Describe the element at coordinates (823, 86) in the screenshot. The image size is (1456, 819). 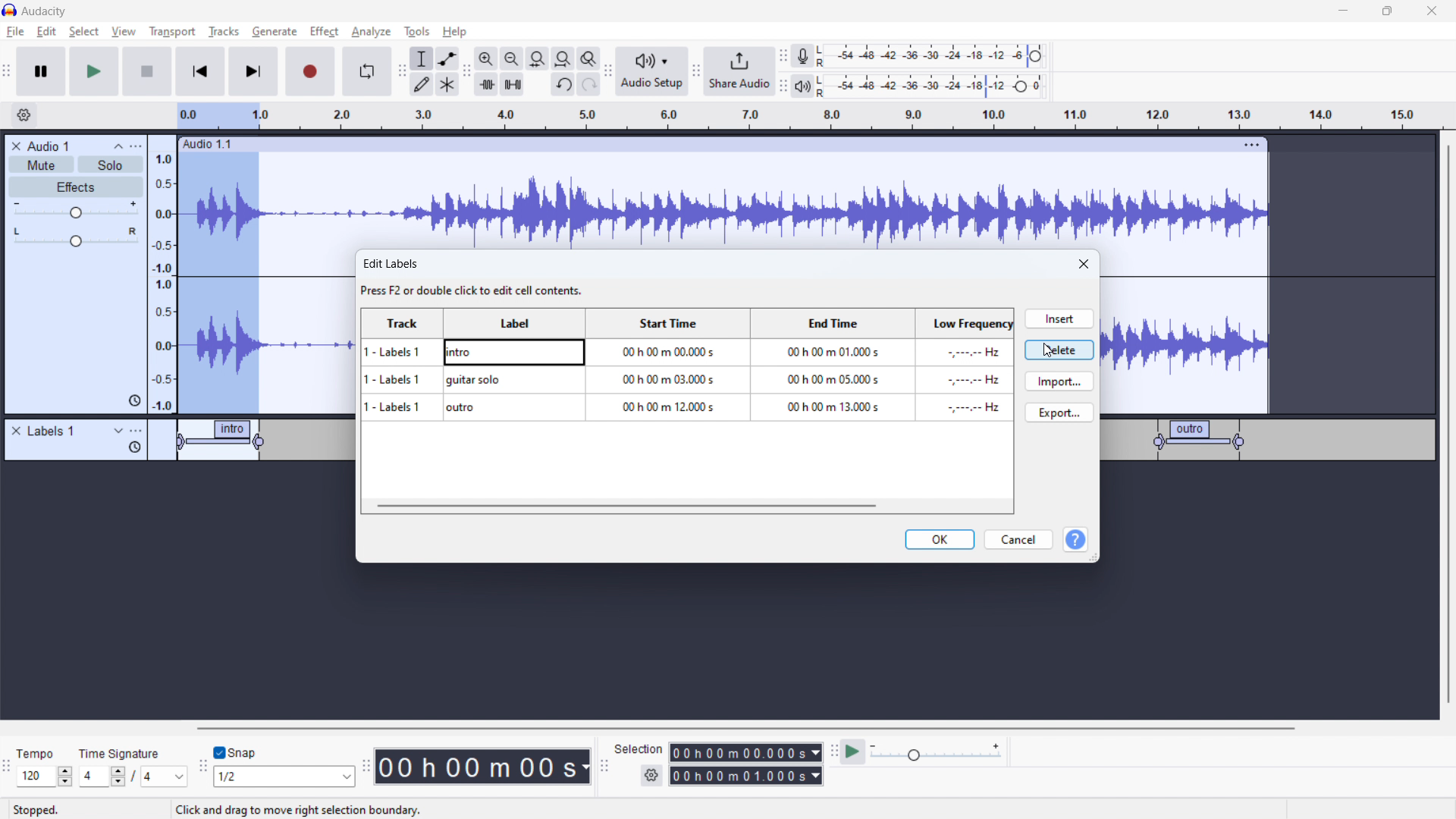
I see `` at that location.